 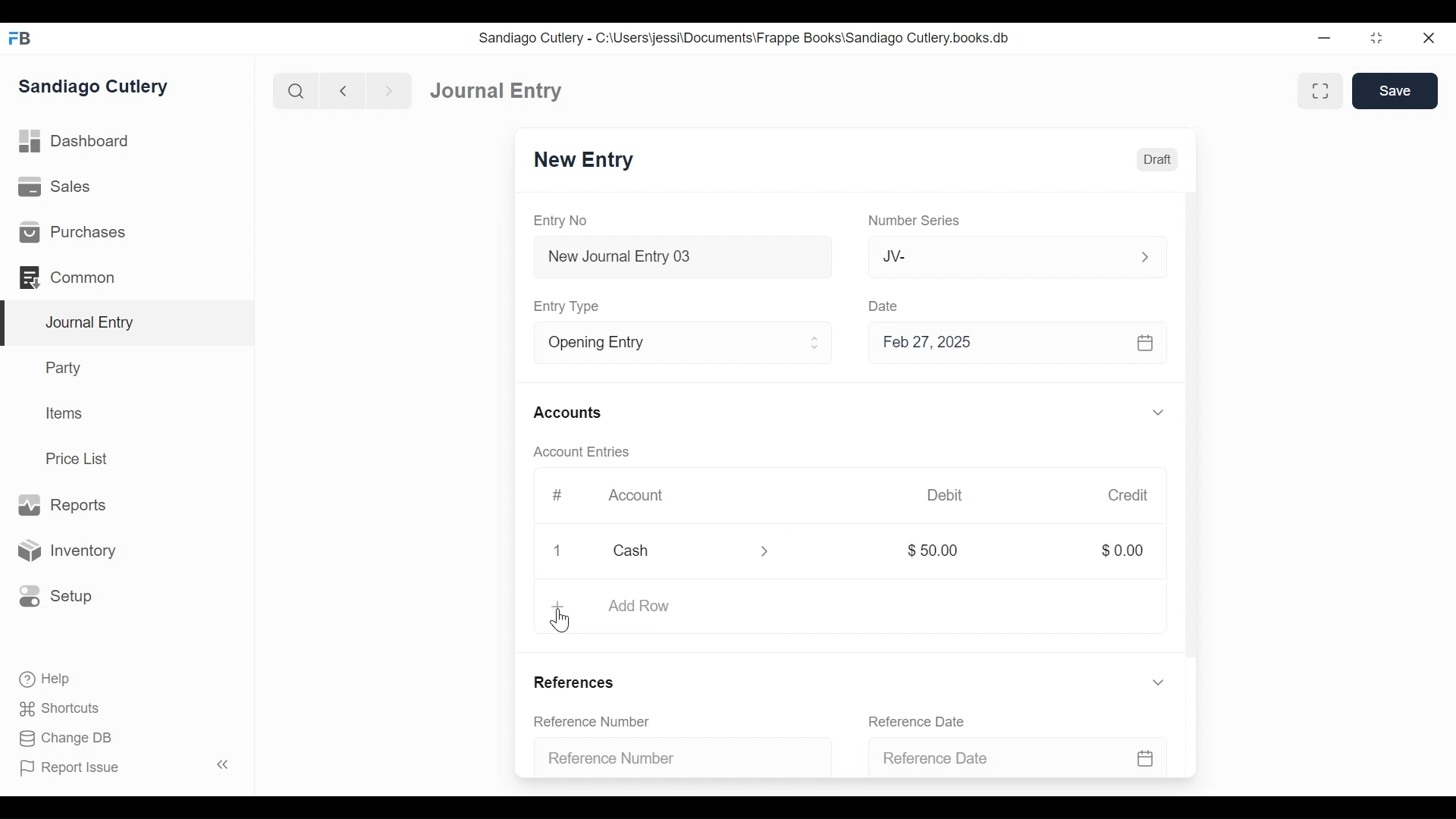 I want to click on Expand, so click(x=766, y=551).